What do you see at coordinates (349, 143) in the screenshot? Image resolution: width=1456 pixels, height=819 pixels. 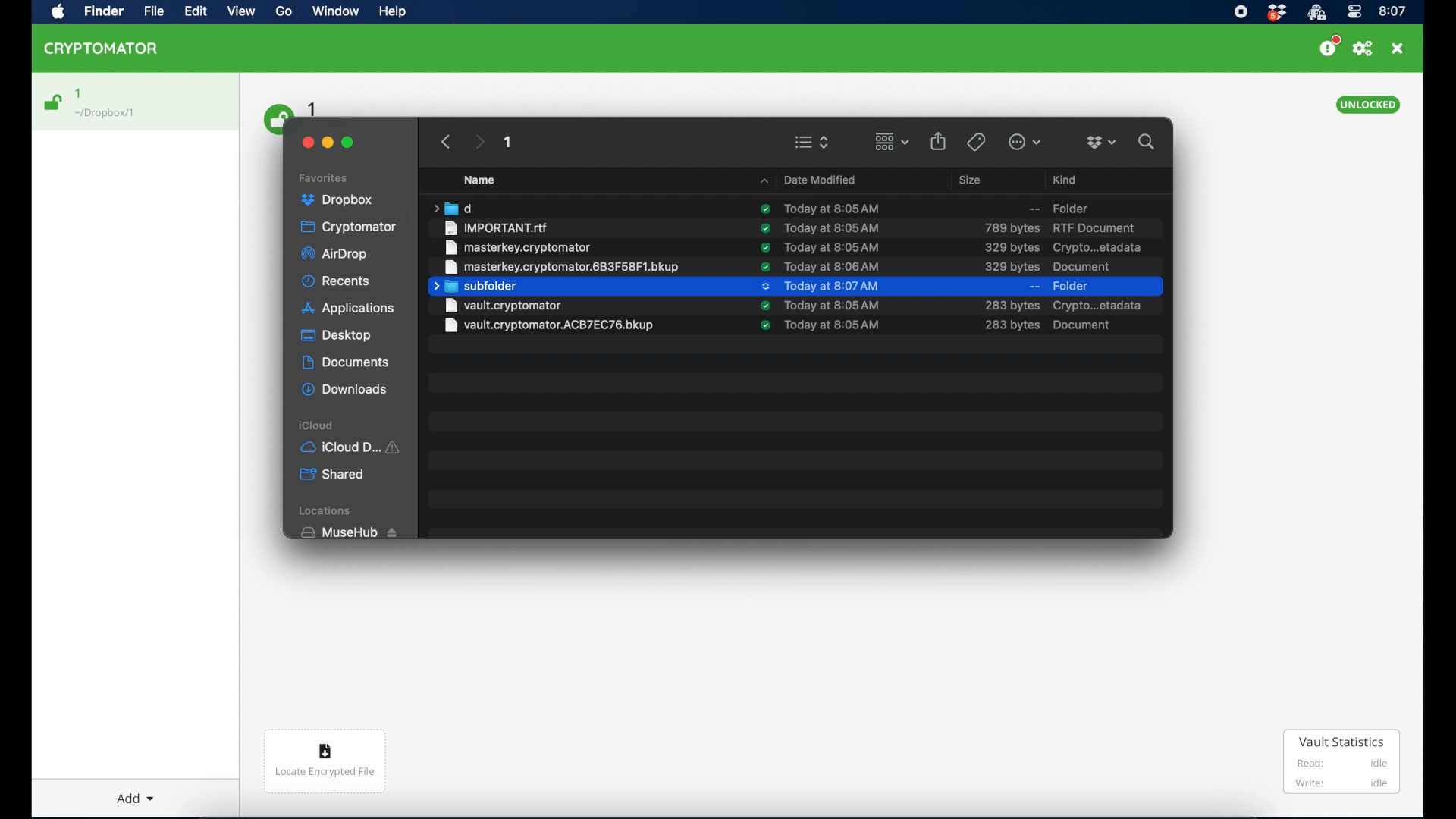 I see `maximize` at bounding box center [349, 143].